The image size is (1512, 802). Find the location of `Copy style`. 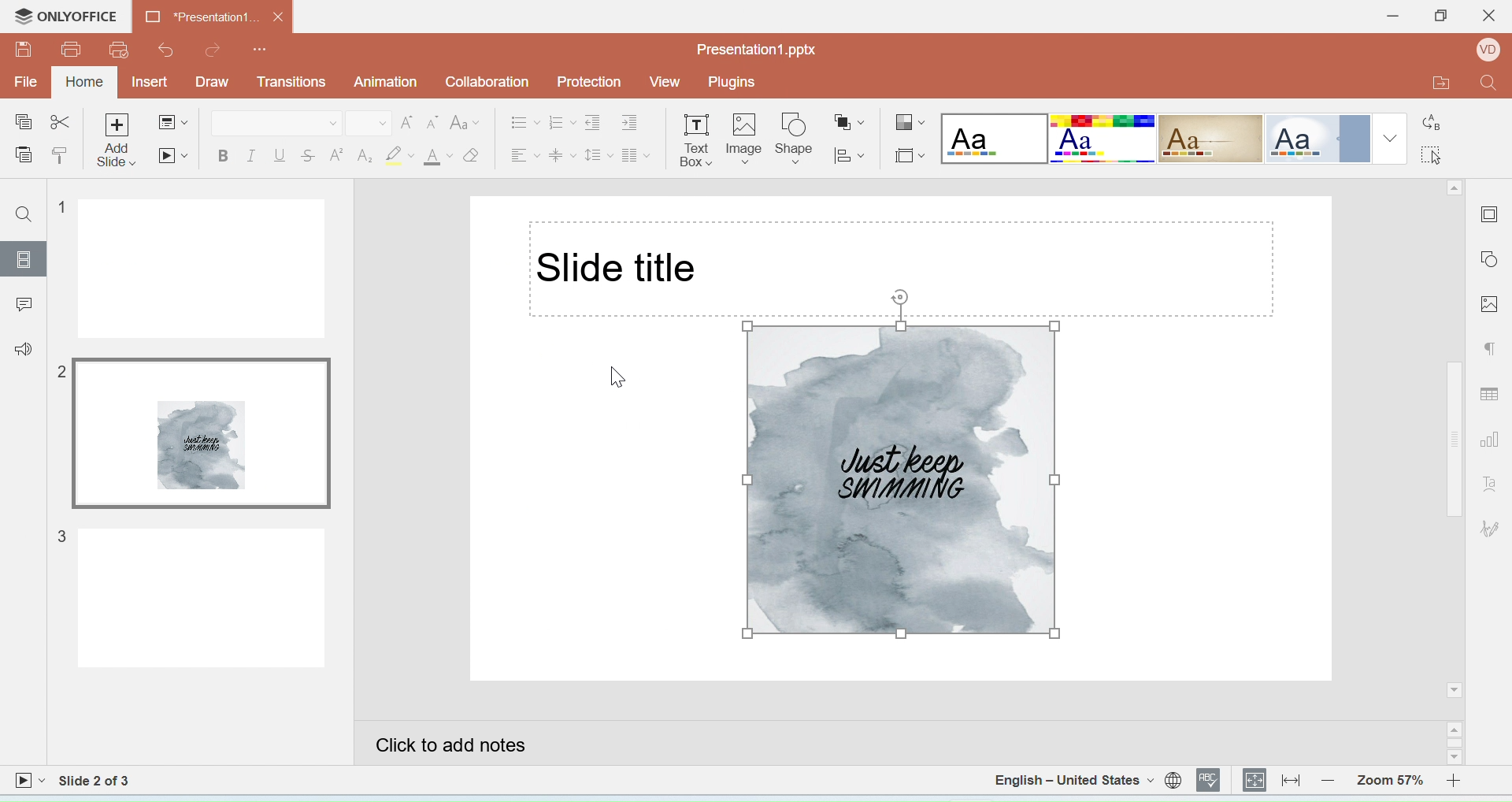

Copy style is located at coordinates (60, 157).